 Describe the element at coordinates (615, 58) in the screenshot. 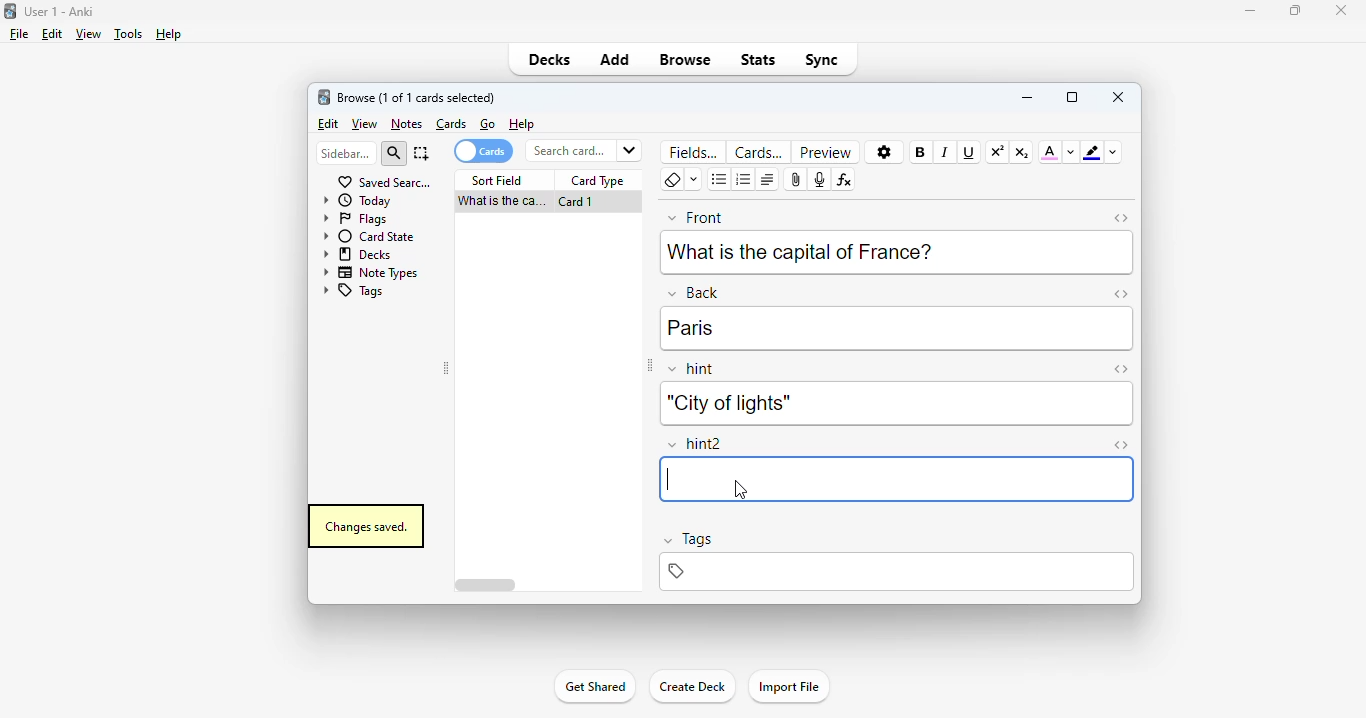

I see `add` at that location.